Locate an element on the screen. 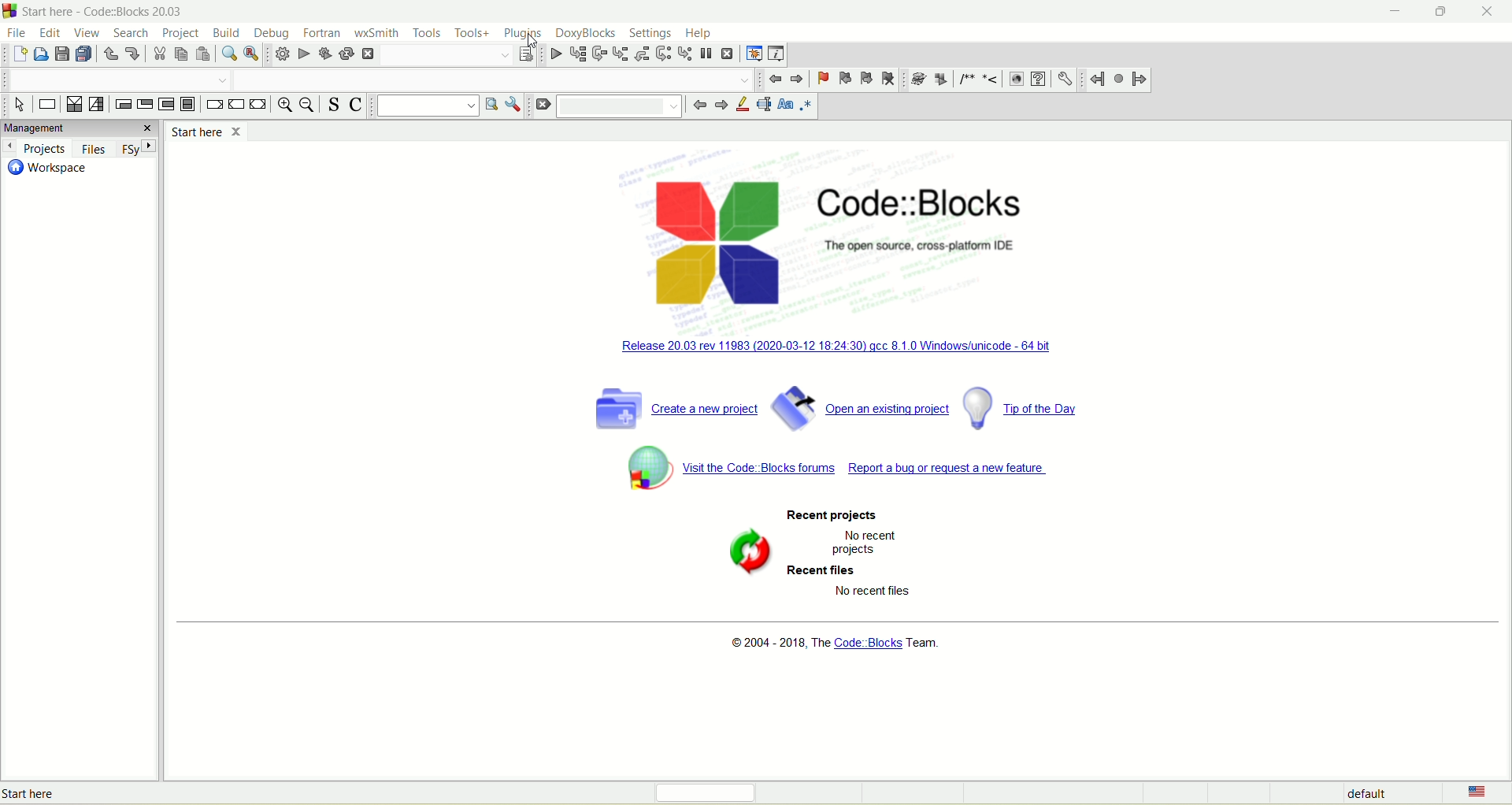 The height and width of the screenshot is (805, 1512). debugging is located at coordinates (754, 51).